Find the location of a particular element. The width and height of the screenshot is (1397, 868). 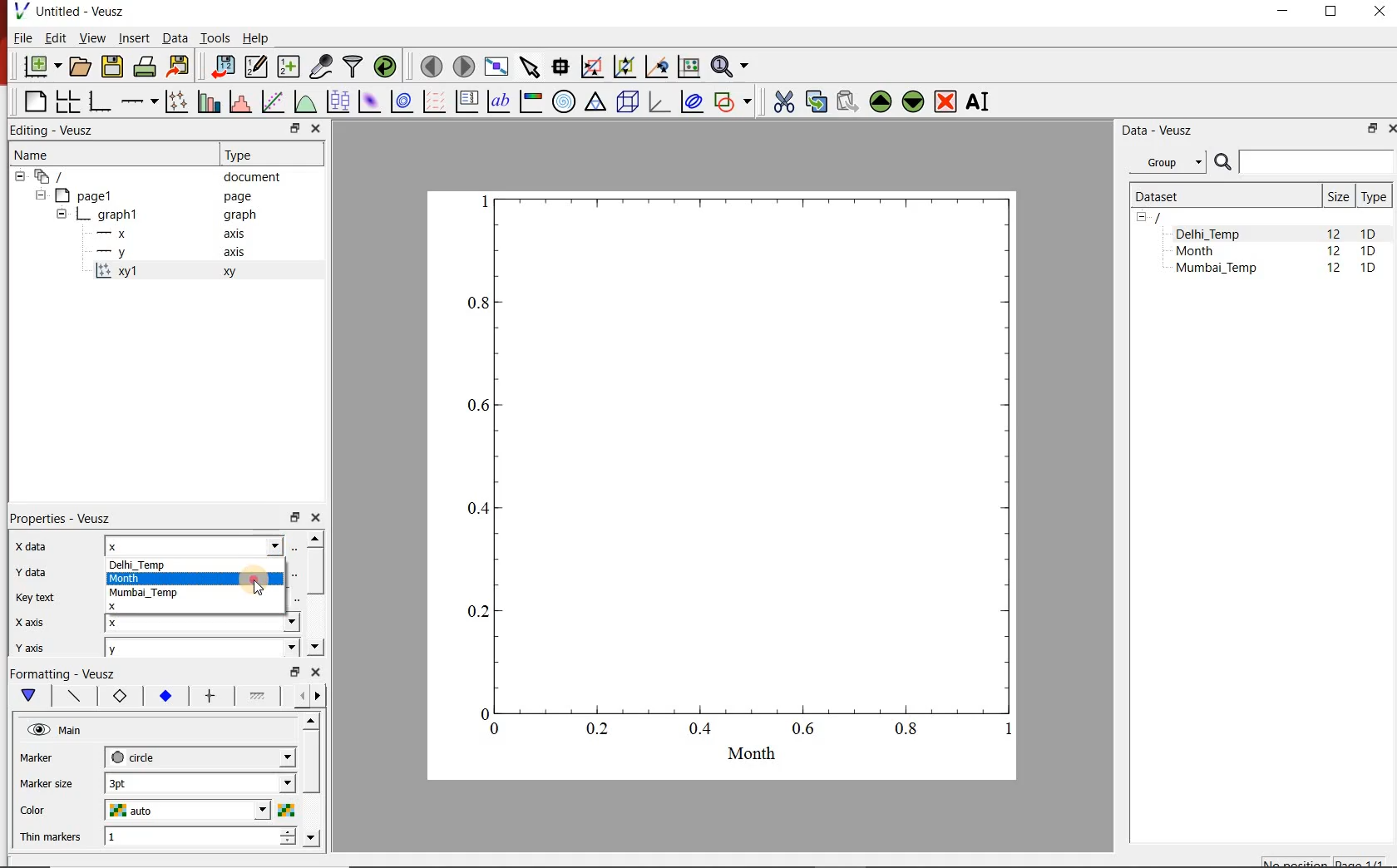

Edit is located at coordinates (54, 37).